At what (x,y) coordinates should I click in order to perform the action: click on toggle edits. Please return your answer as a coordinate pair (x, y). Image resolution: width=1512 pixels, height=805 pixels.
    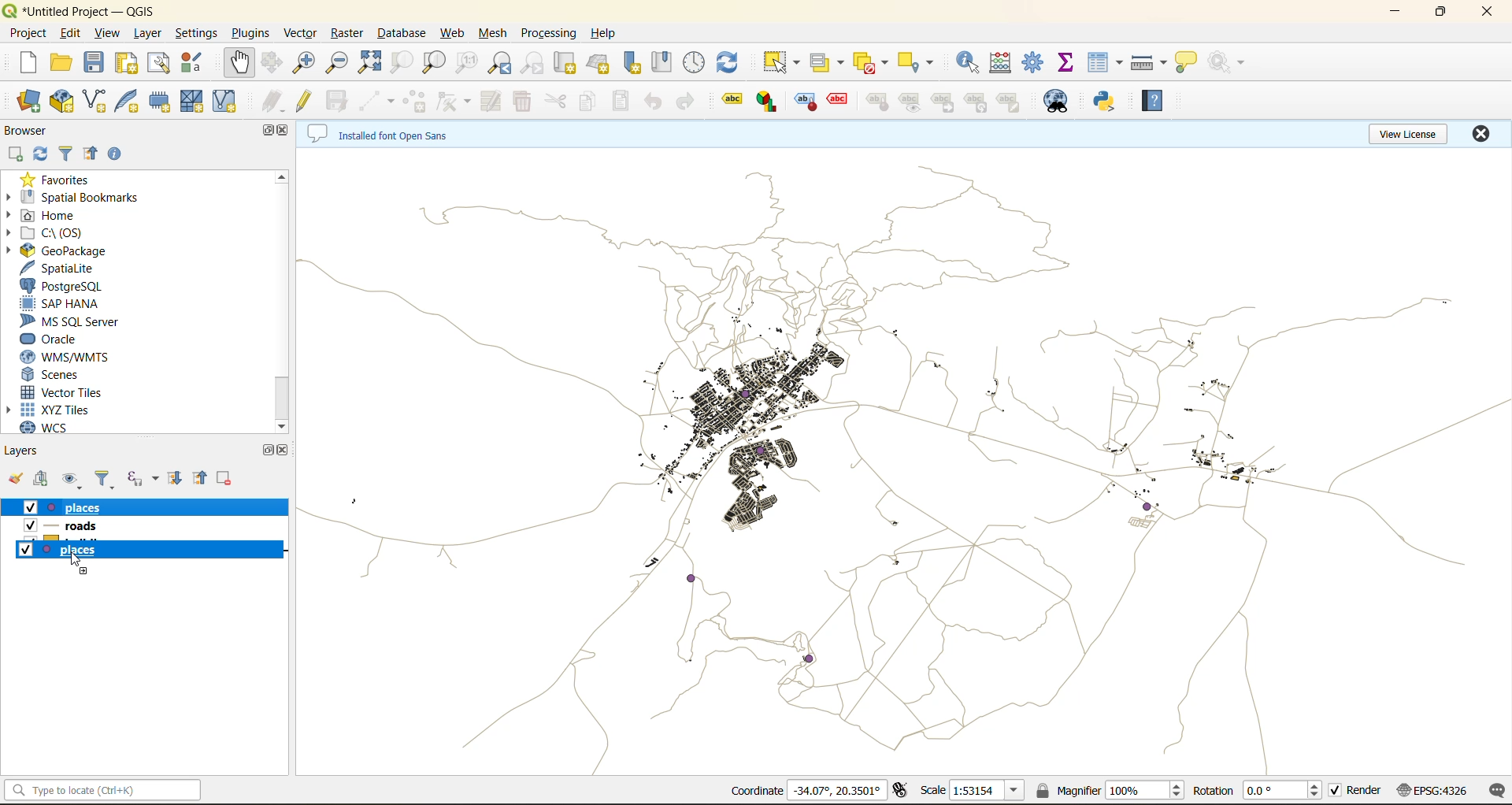
    Looking at the image, I should click on (306, 101).